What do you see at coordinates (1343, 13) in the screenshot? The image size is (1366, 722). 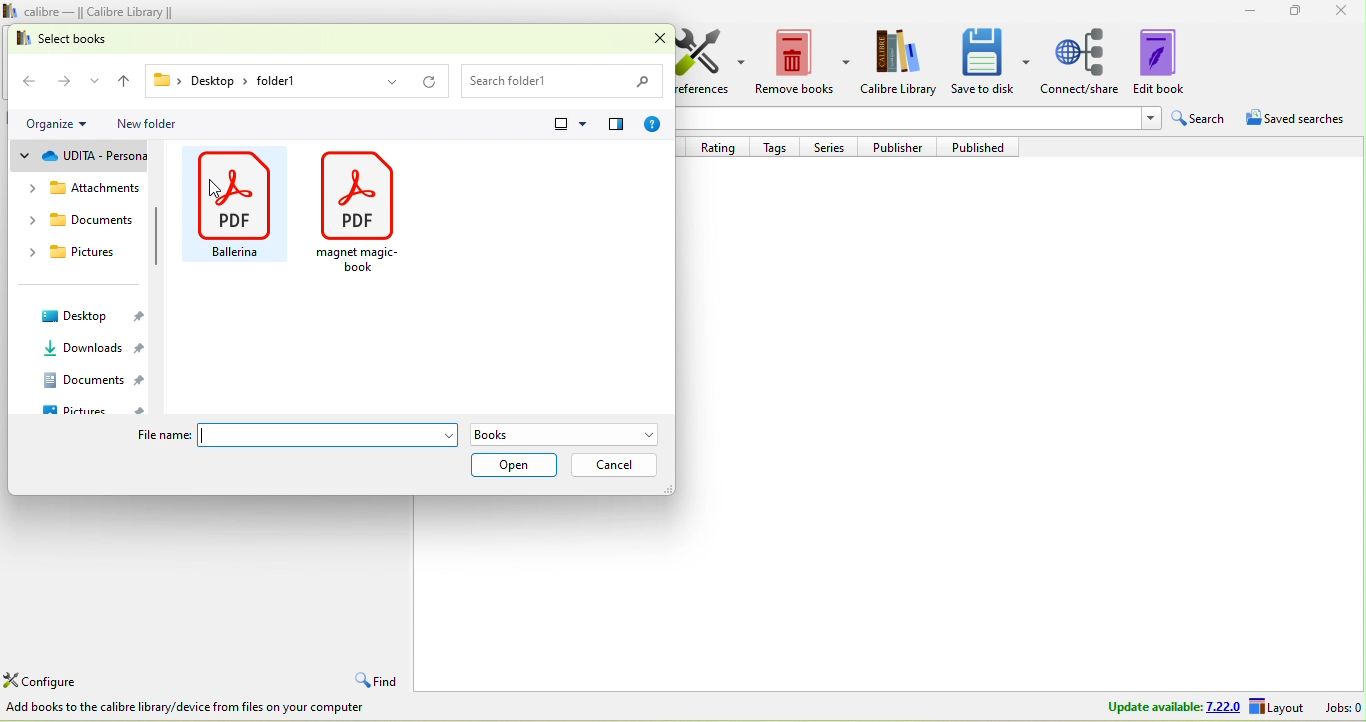 I see `close` at bounding box center [1343, 13].